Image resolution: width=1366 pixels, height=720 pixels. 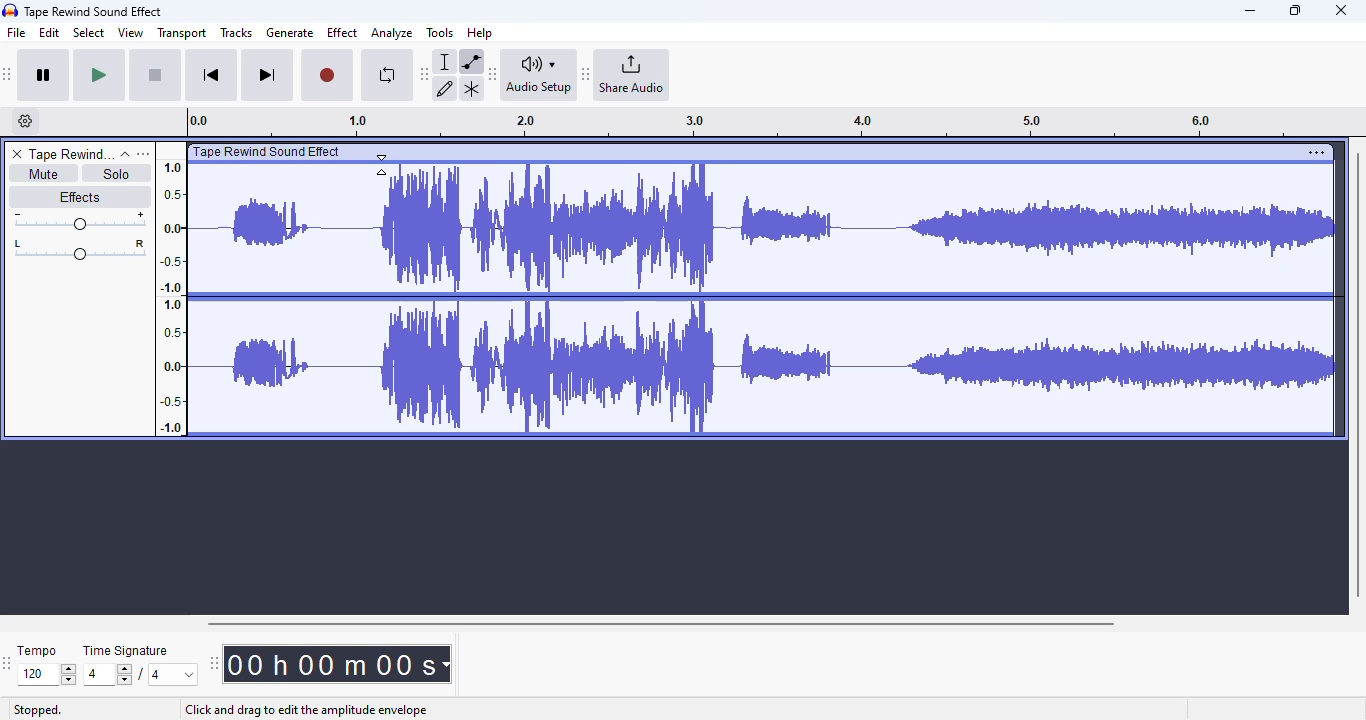 What do you see at coordinates (172, 296) in the screenshot?
I see `Scale to measure sound intensity` at bounding box center [172, 296].